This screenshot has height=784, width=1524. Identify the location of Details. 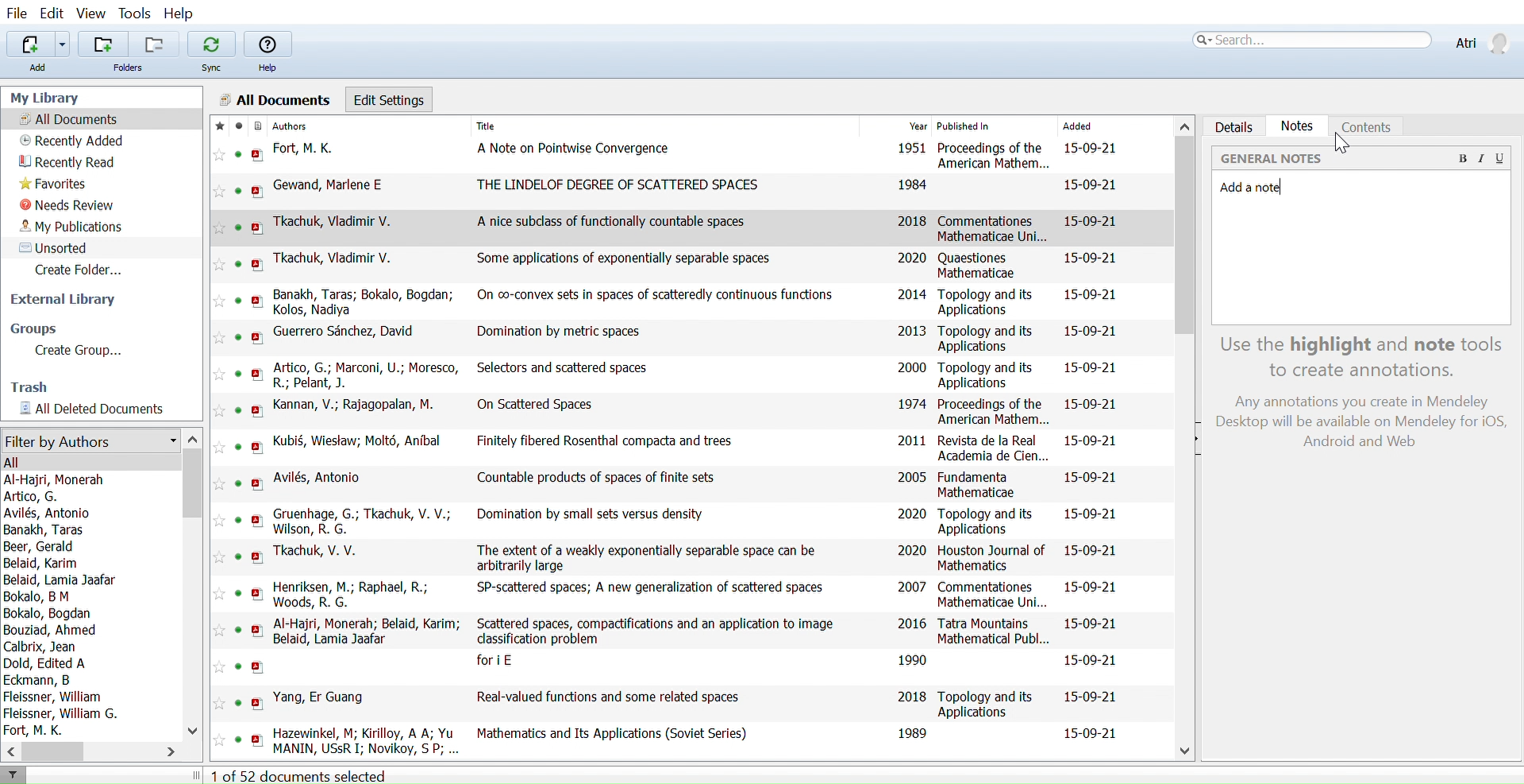
(1233, 125).